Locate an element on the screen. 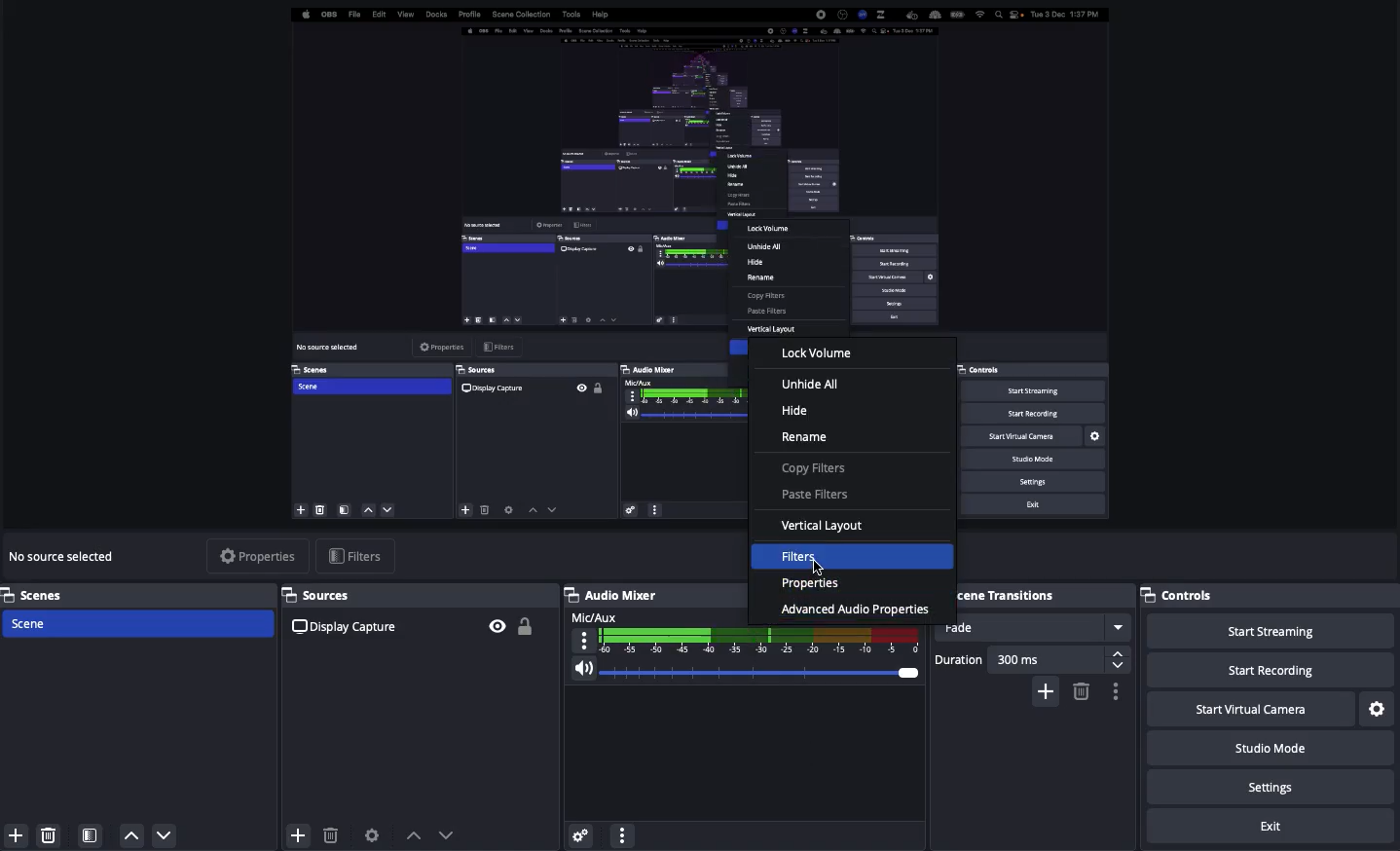  Filters is located at coordinates (362, 556).